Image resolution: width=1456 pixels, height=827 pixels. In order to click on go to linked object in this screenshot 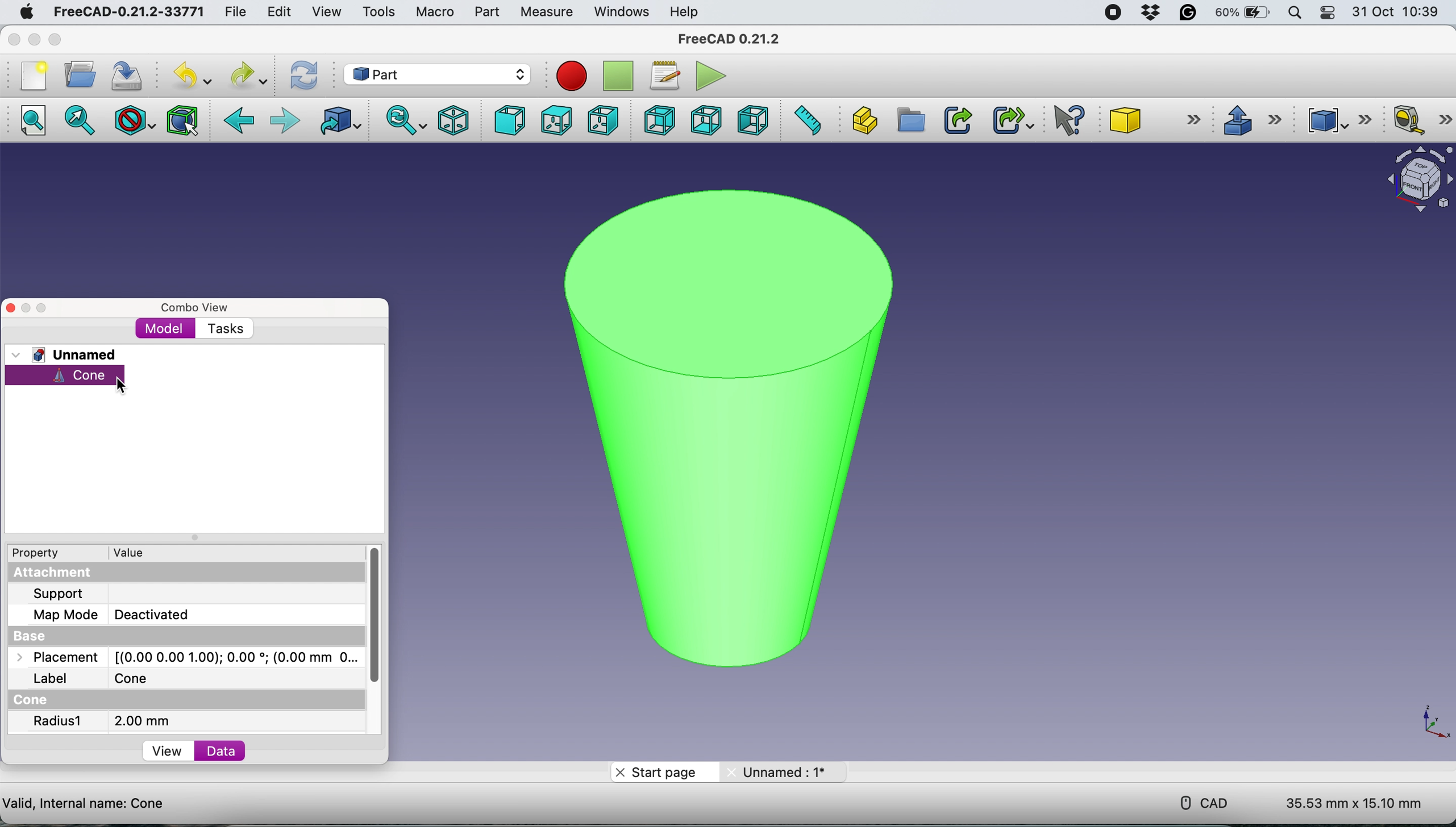, I will do `click(337, 122)`.